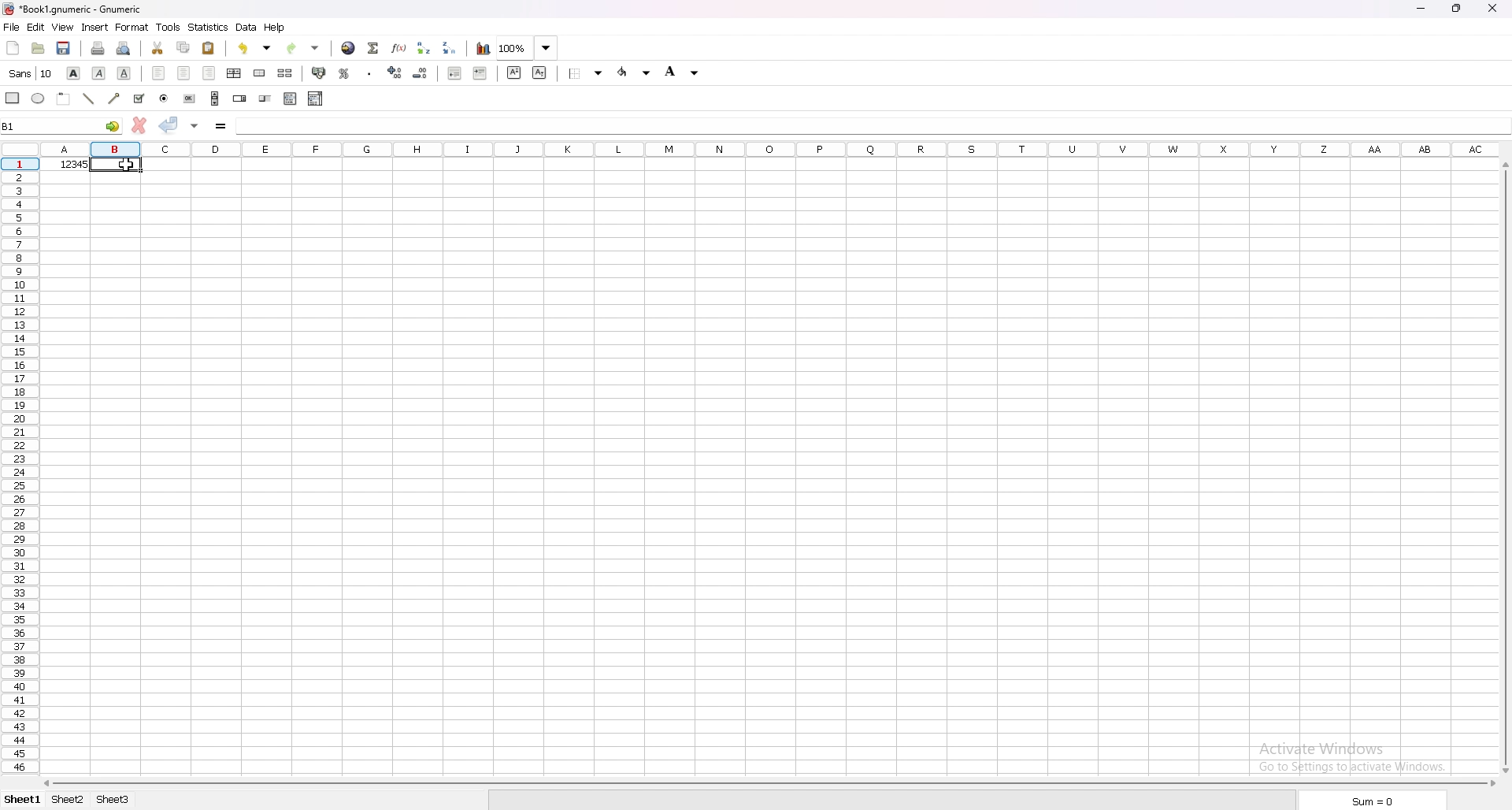 The height and width of the screenshot is (810, 1512). I want to click on tickbox, so click(139, 99).